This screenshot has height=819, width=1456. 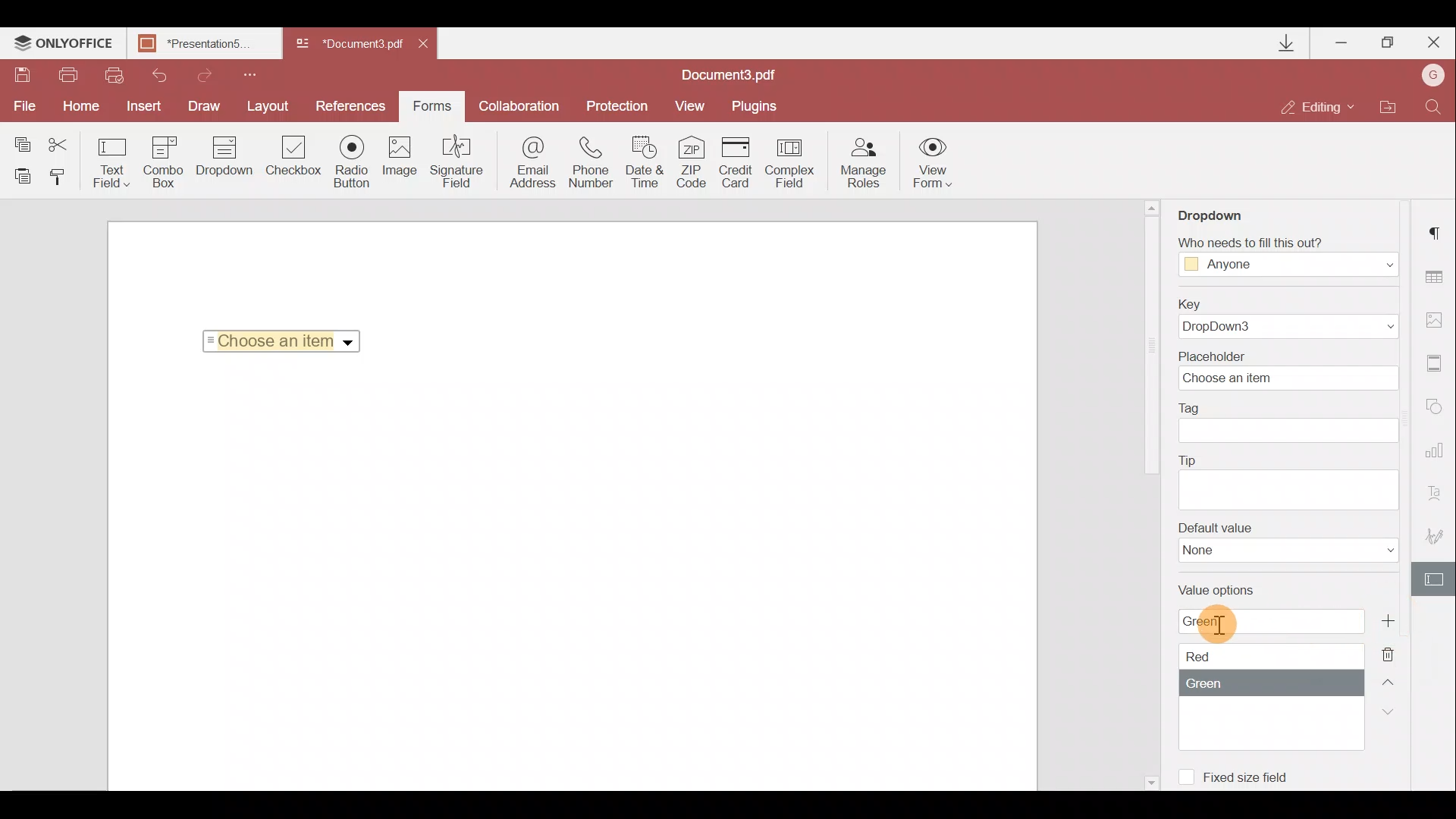 I want to click on Text field, so click(x=109, y=162).